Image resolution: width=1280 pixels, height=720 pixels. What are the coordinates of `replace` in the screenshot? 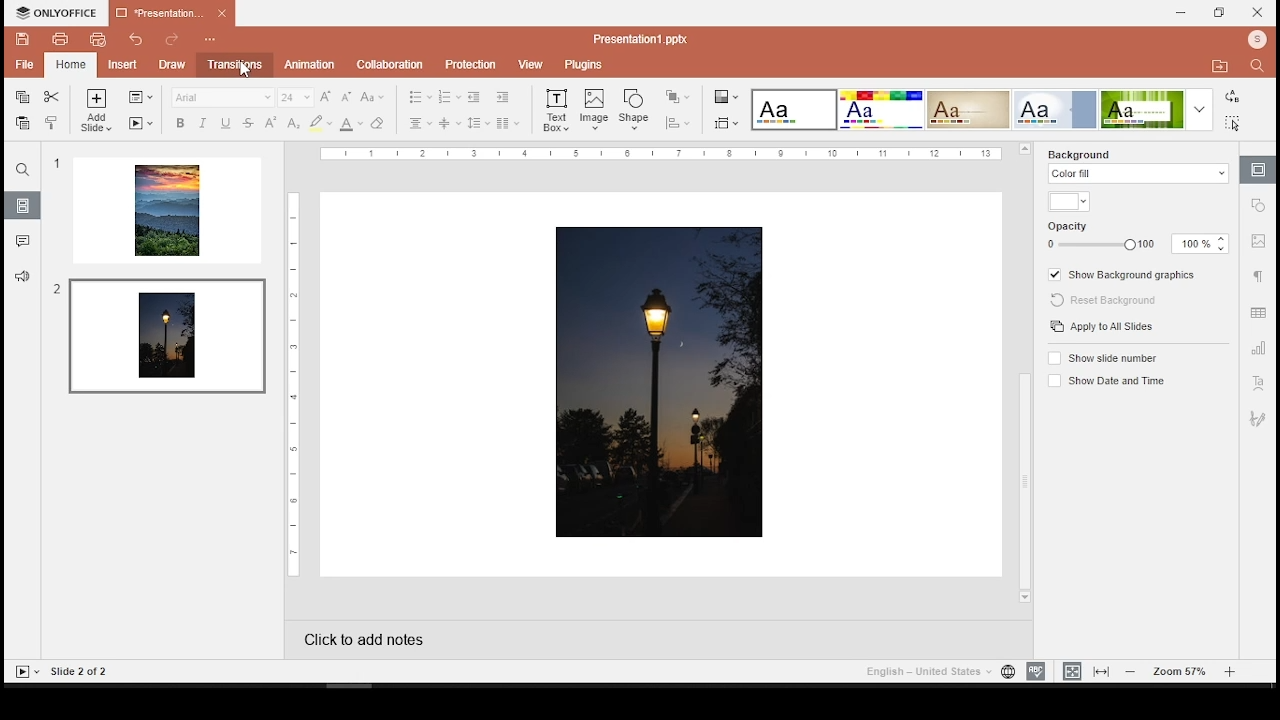 It's located at (1229, 95).